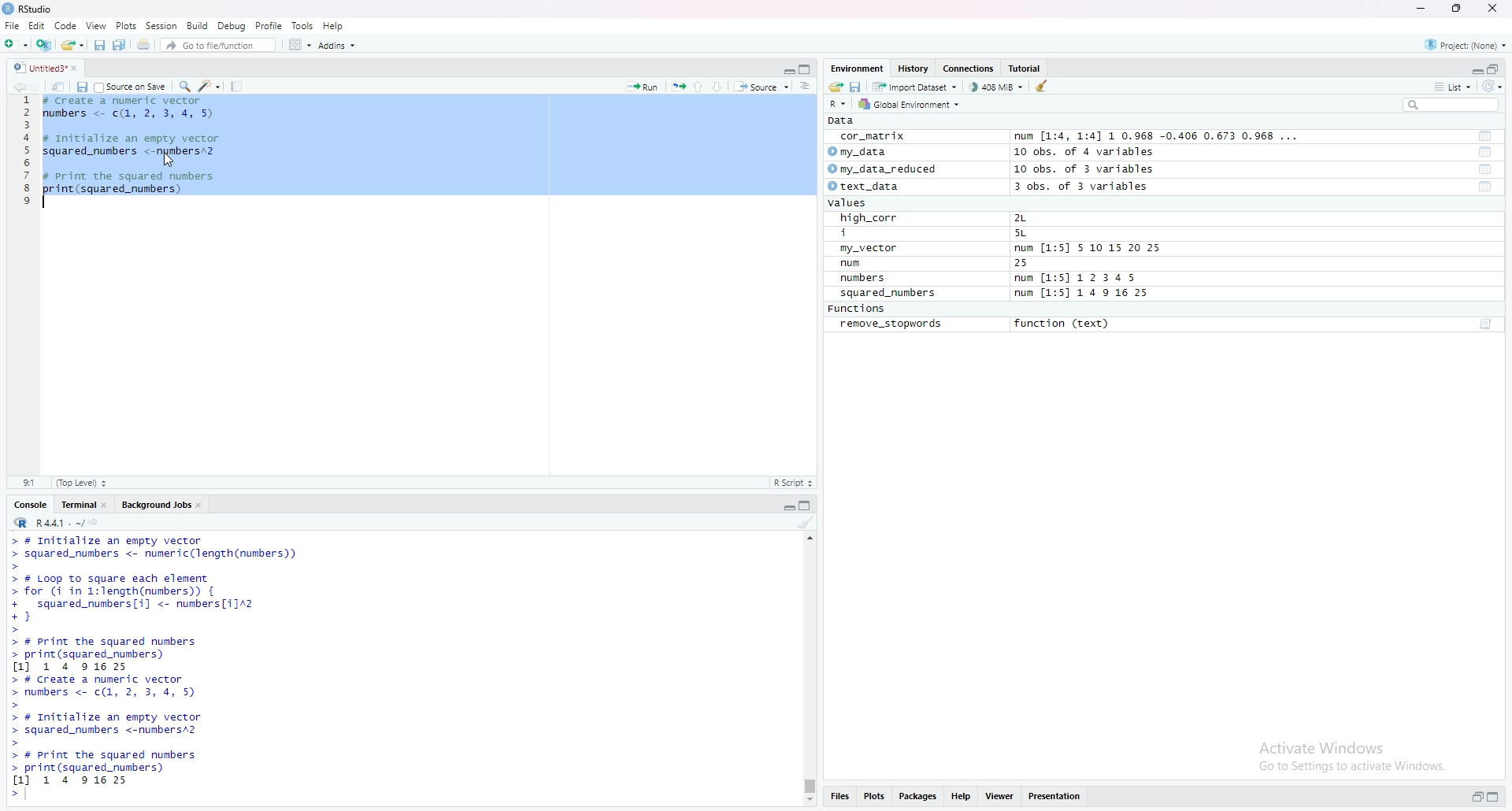 Image resolution: width=1512 pixels, height=811 pixels. What do you see at coordinates (1088, 249) in the screenshot?
I see `num [1:5] S 10 15 20 25` at bounding box center [1088, 249].